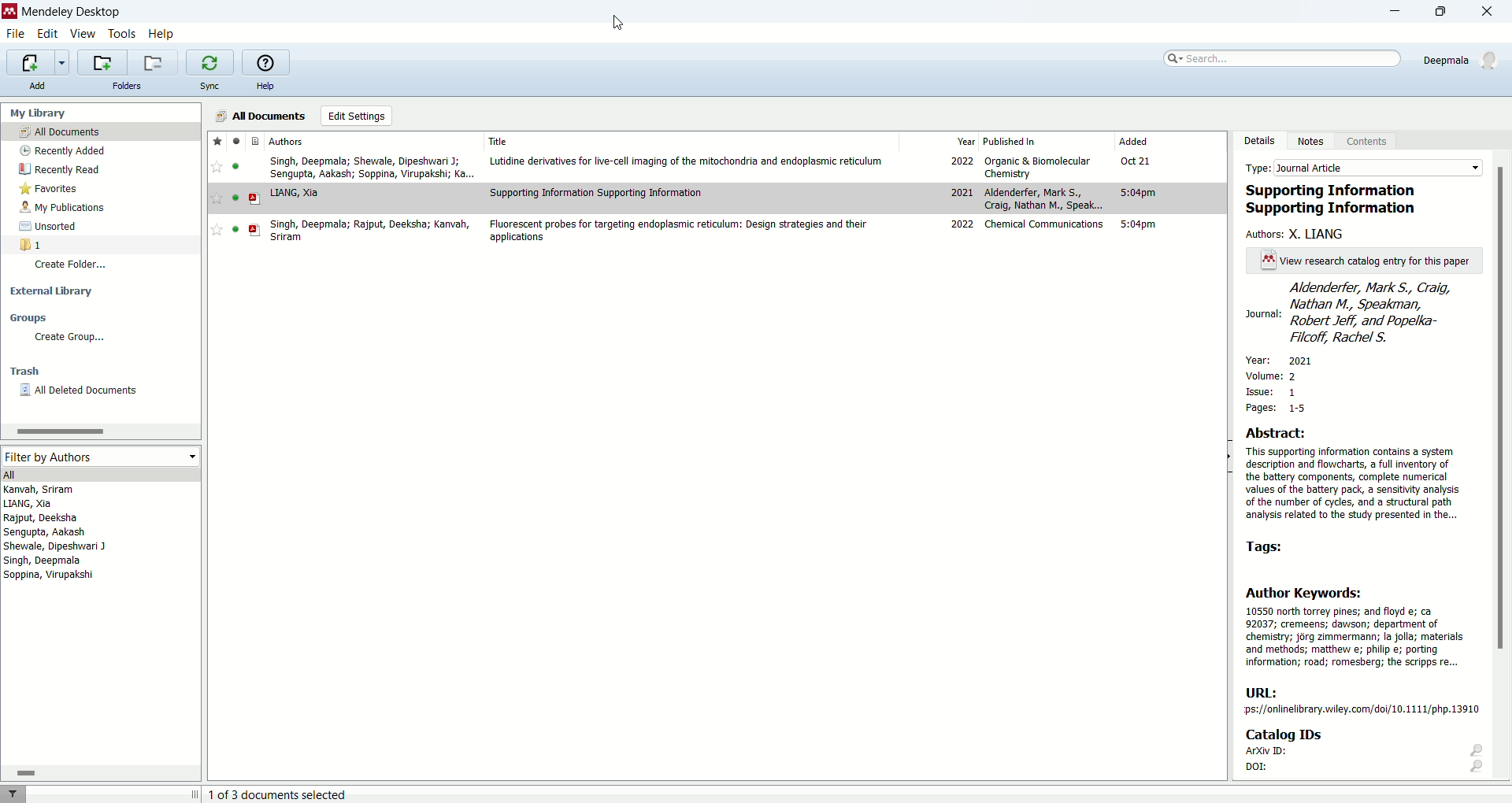 The height and width of the screenshot is (803, 1512). I want to click on type: journal article, so click(1360, 167).